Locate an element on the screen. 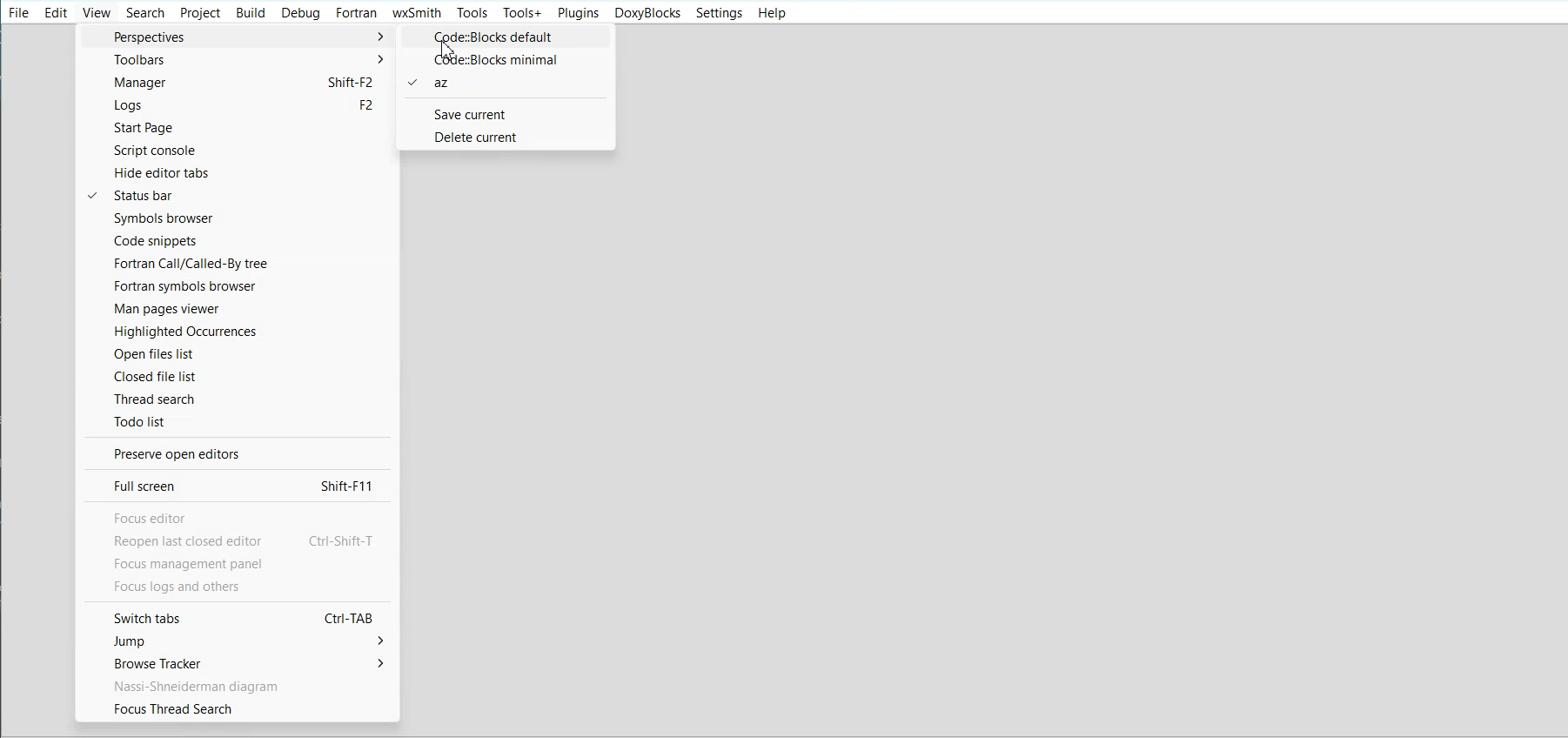 Image resolution: width=1568 pixels, height=738 pixels. Doxyblocks is located at coordinates (647, 13).